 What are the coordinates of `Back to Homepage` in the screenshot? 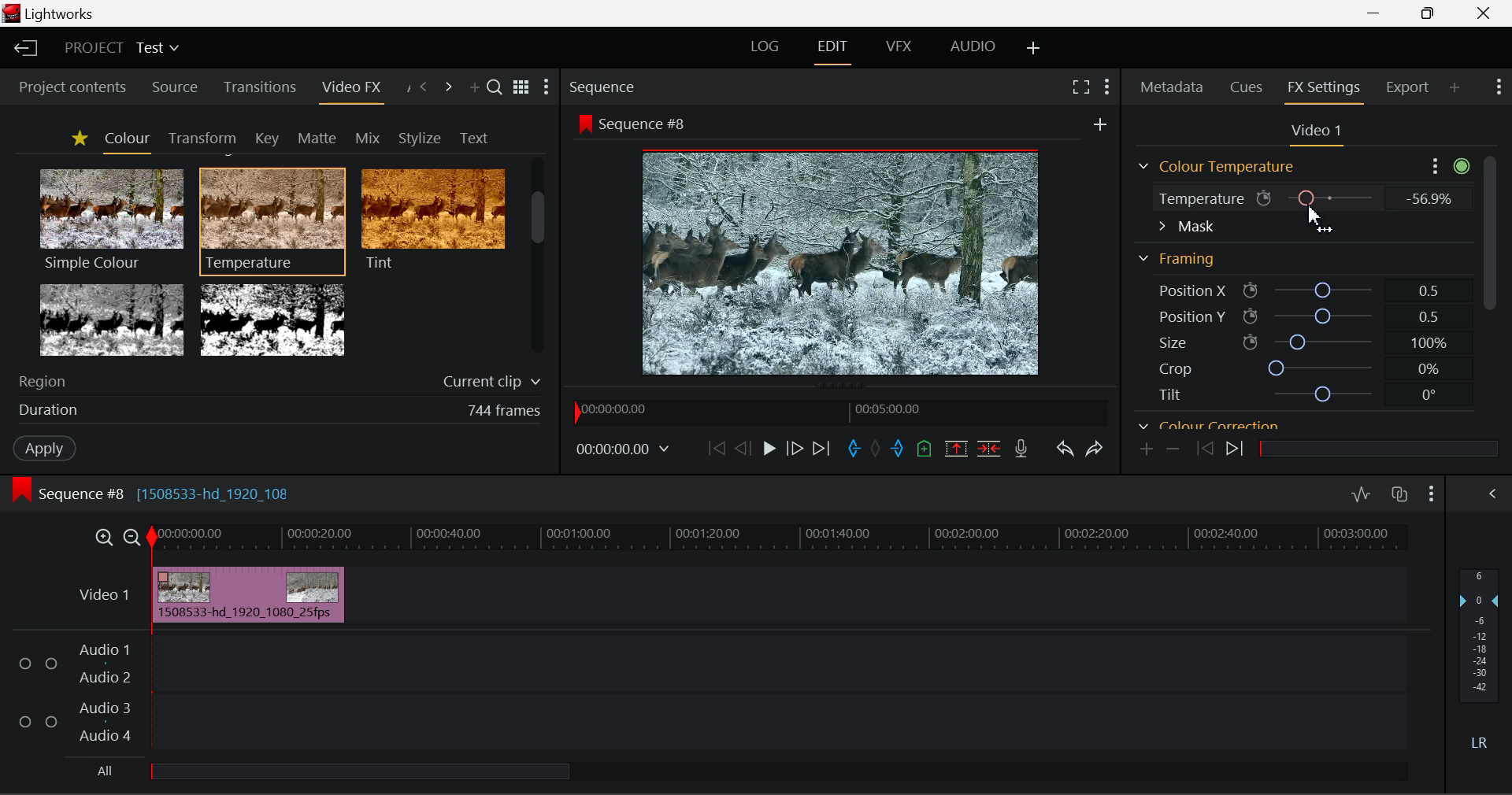 It's located at (24, 46).